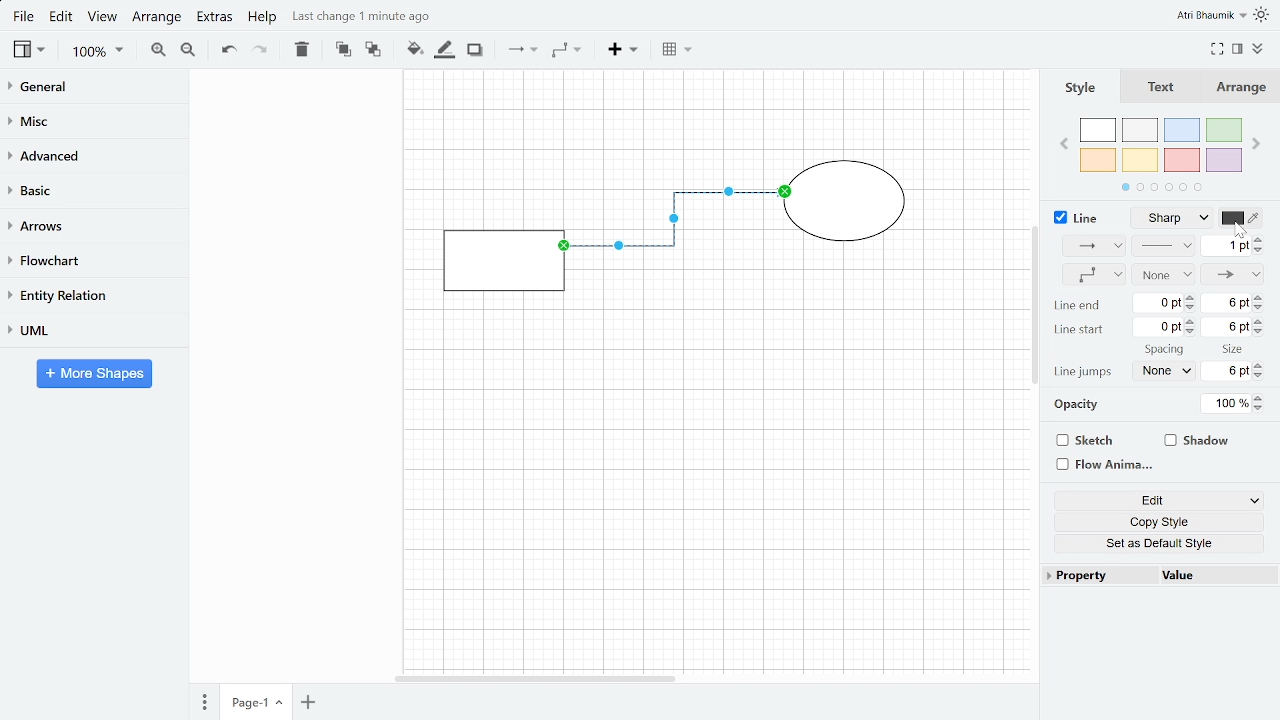 Image resolution: width=1280 pixels, height=720 pixels. Describe the element at coordinates (1088, 246) in the screenshot. I see `Connection` at that location.